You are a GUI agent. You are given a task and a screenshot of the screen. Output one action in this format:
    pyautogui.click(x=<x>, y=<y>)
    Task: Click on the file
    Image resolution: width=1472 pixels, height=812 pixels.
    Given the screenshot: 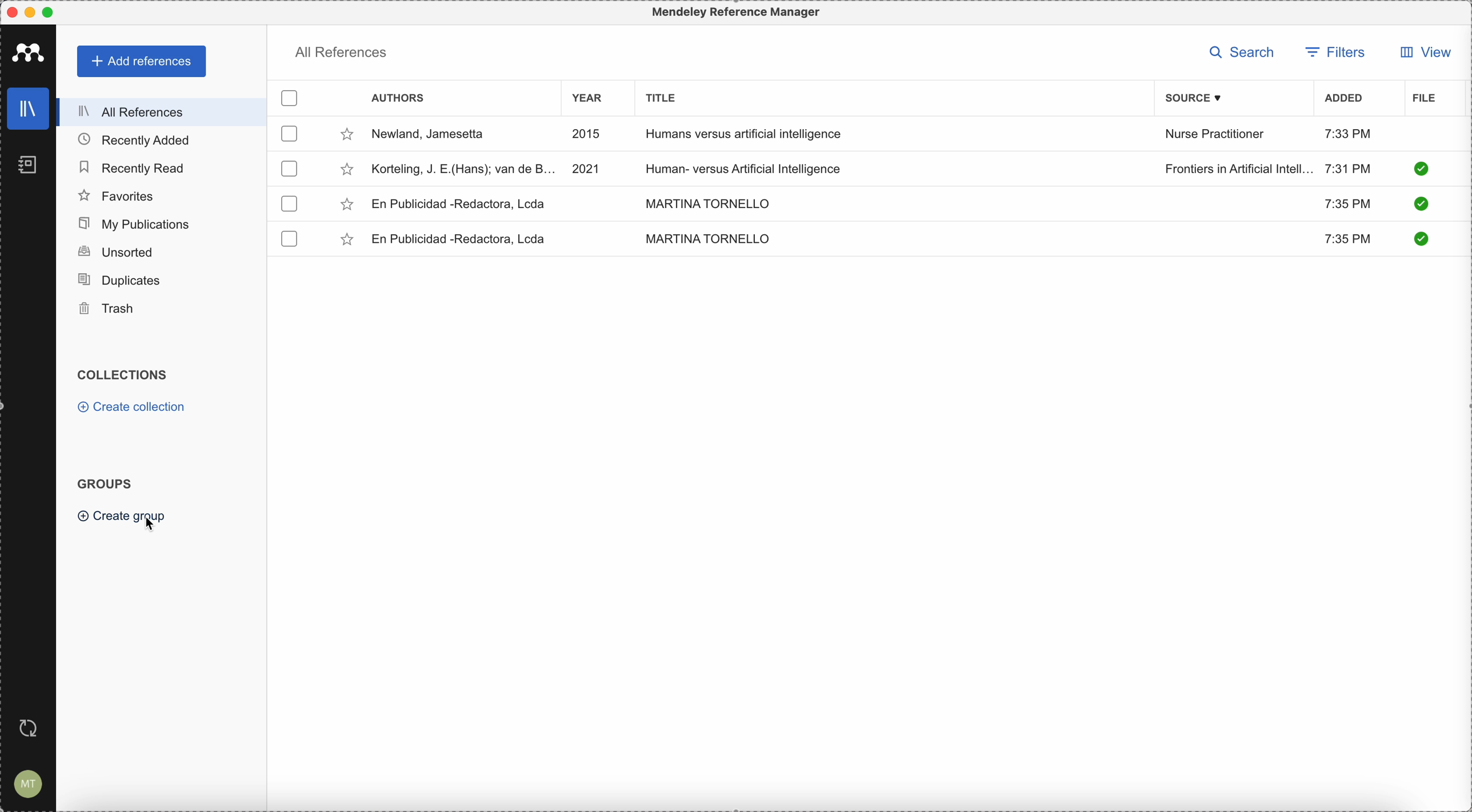 What is the action you would take?
    pyautogui.click(x=1424, y=99)
    